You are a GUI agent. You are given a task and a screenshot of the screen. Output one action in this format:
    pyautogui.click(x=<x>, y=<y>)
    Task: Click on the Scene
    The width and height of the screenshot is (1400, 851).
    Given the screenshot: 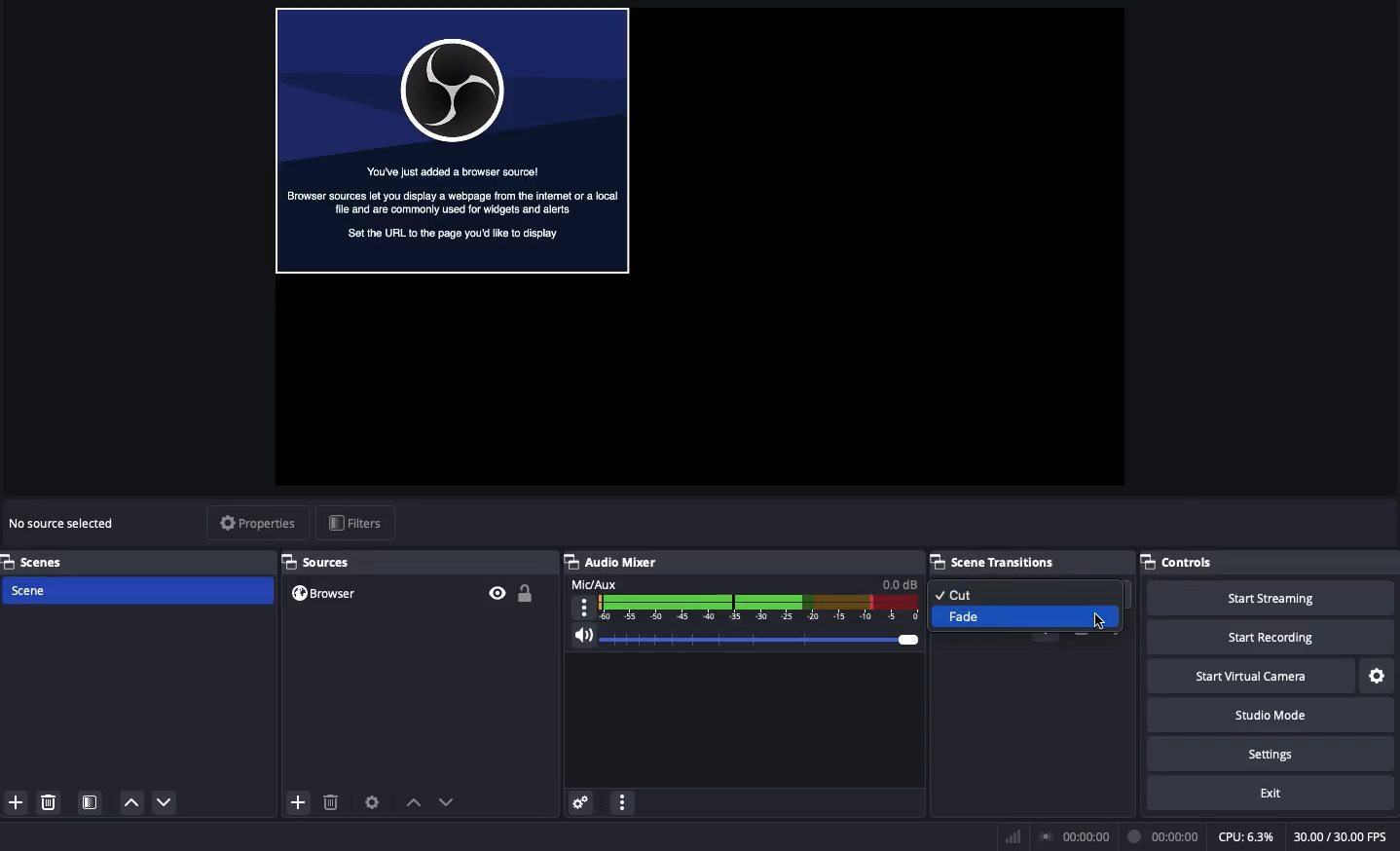 What is the action you would take?
    pyautogui.click(x=136, y=590)
    